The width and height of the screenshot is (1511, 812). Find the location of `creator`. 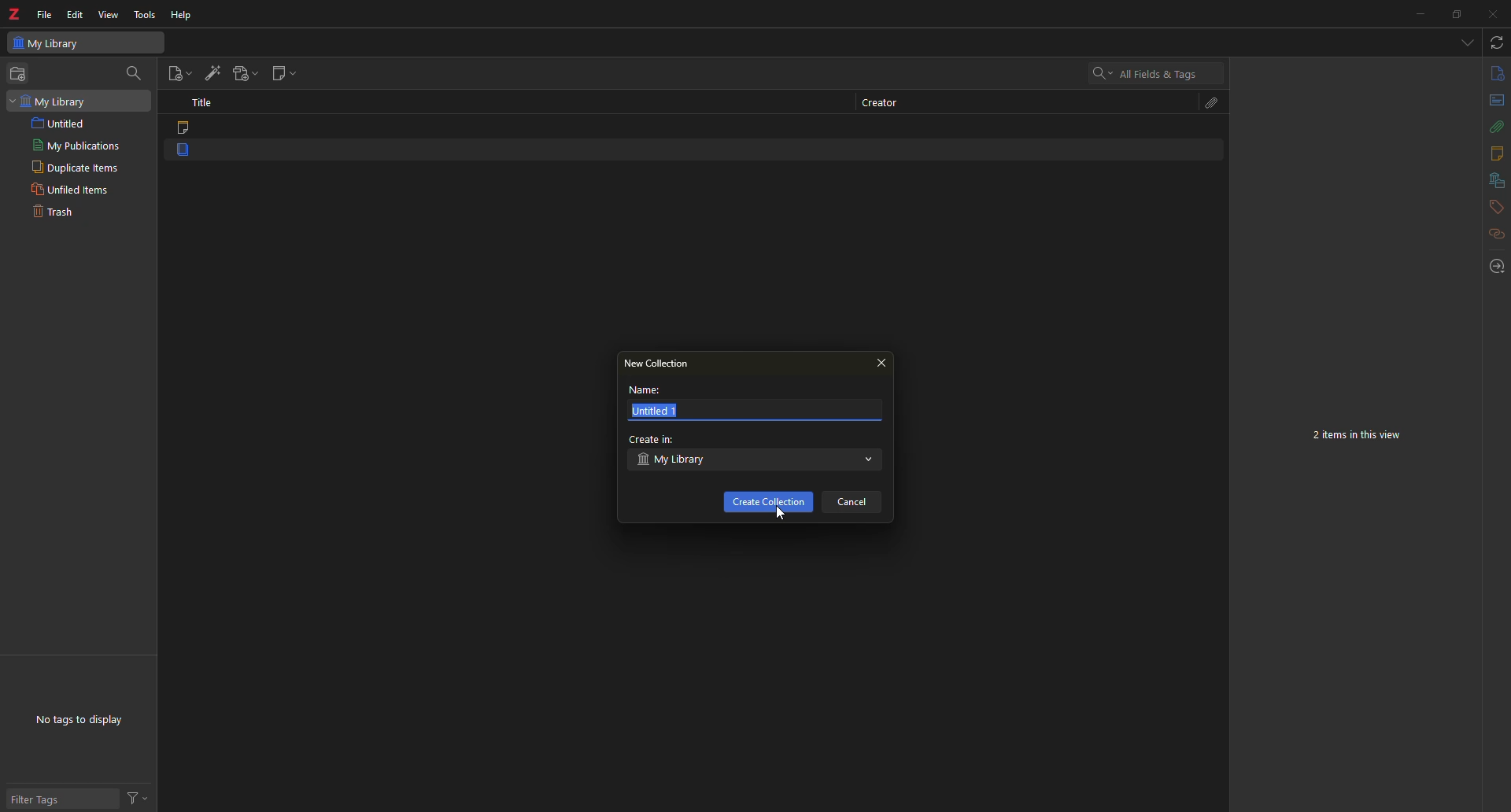

creator is located at coordinates (878, 102).